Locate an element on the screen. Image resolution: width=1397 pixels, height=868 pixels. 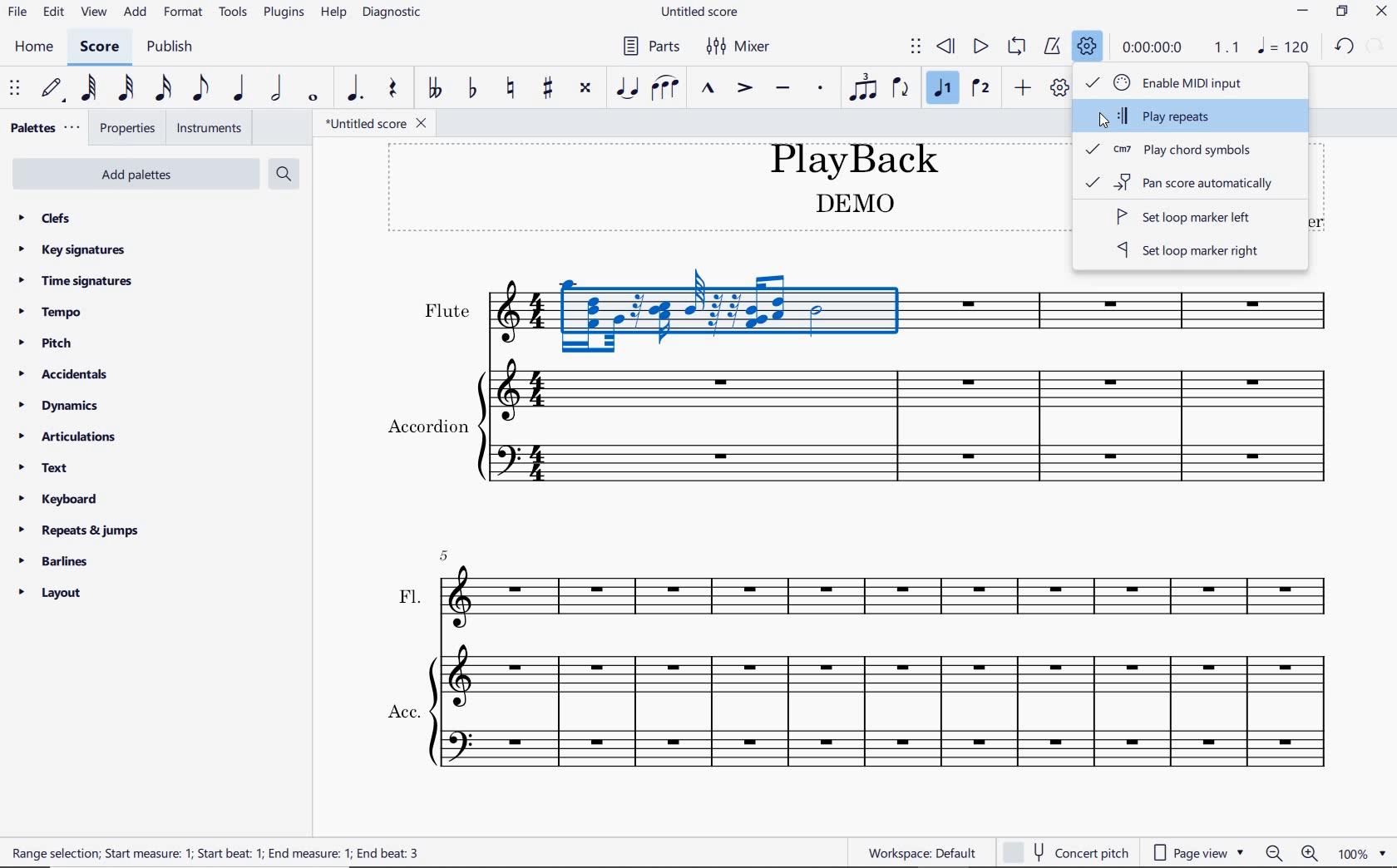
parts is located at coordinates (652, 45).